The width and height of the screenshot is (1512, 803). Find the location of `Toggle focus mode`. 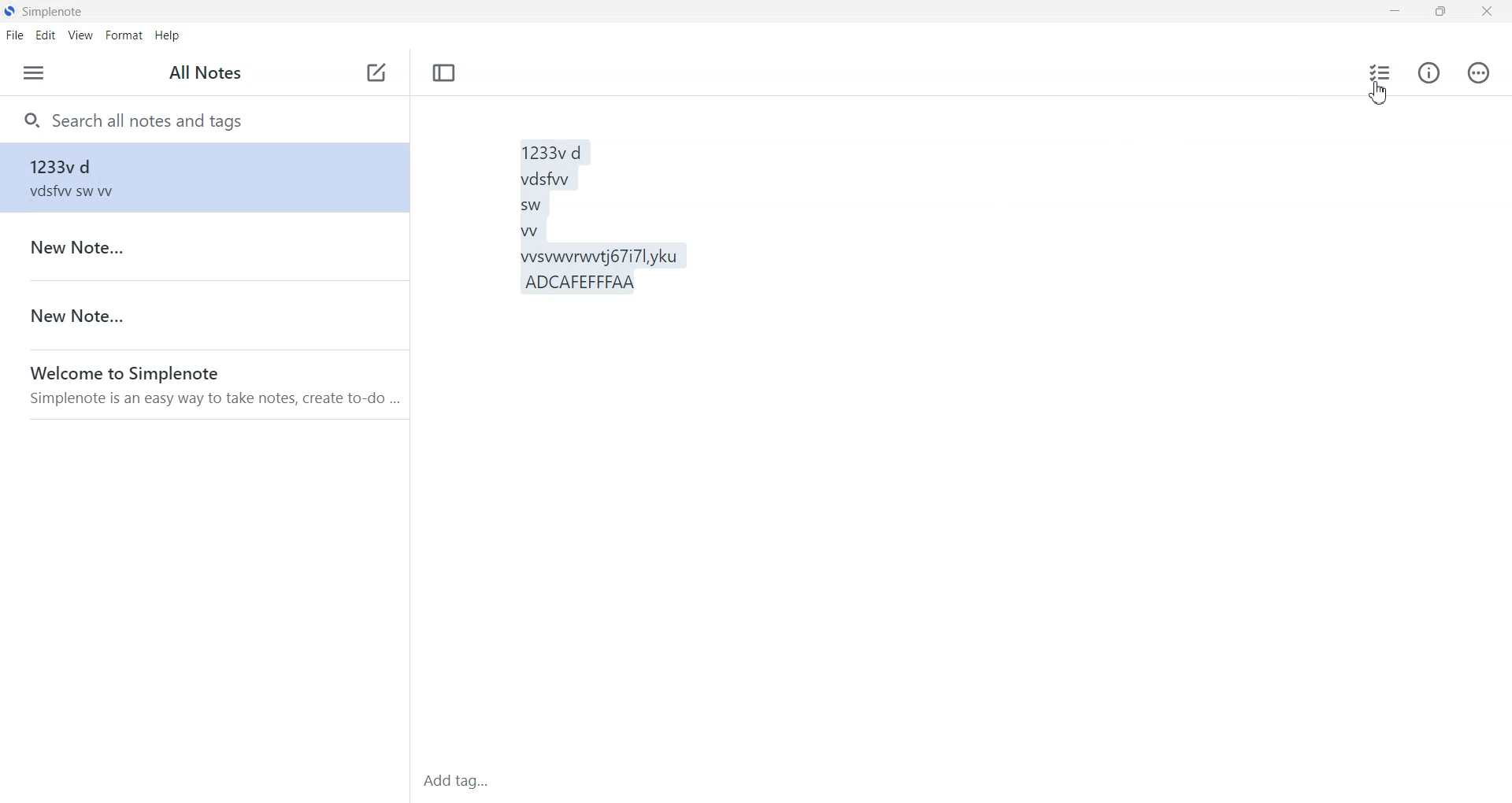

Toggle focus mode is located at coordinates (444, 72).